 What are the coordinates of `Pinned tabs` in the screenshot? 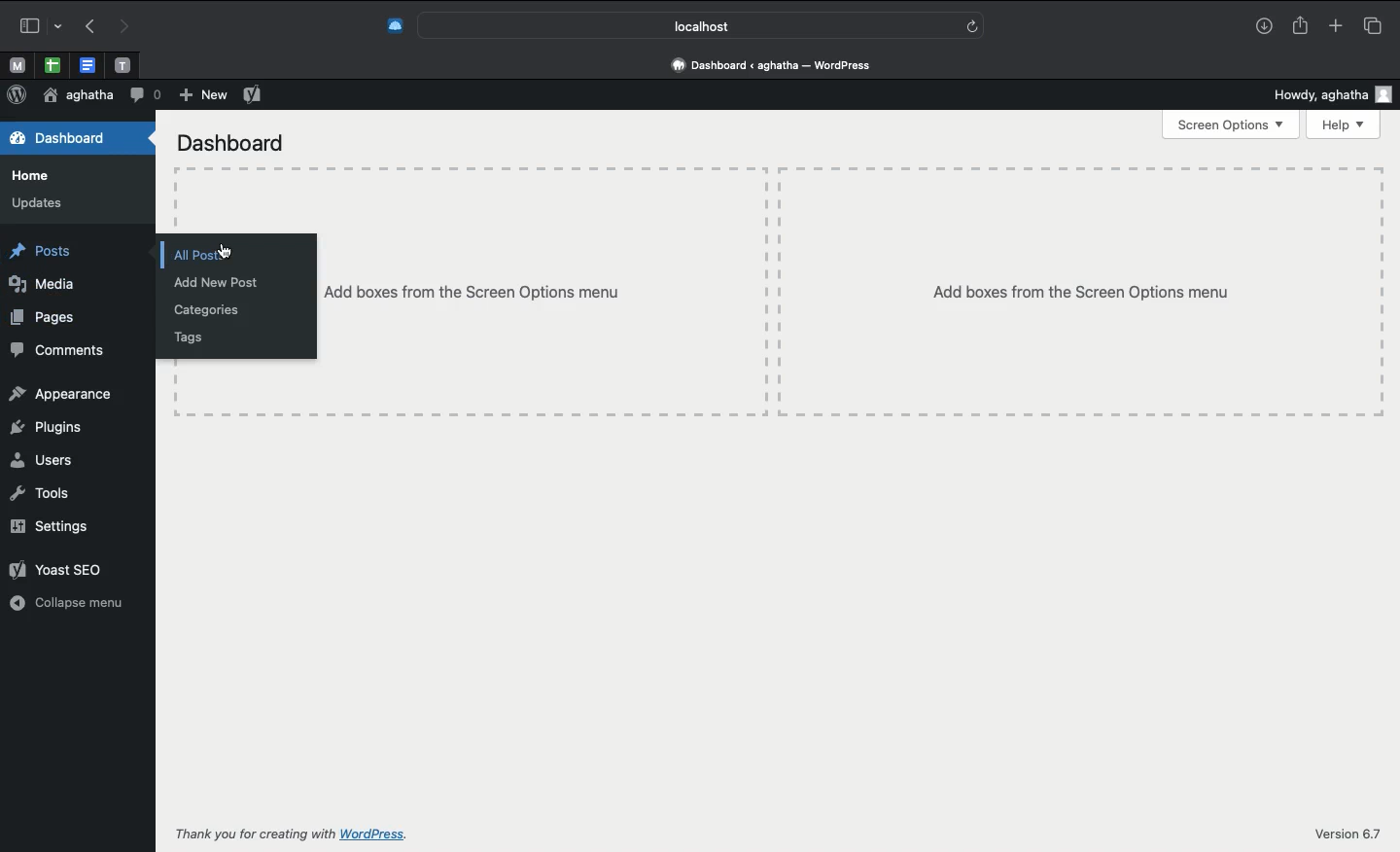 It's located at (18, 64).